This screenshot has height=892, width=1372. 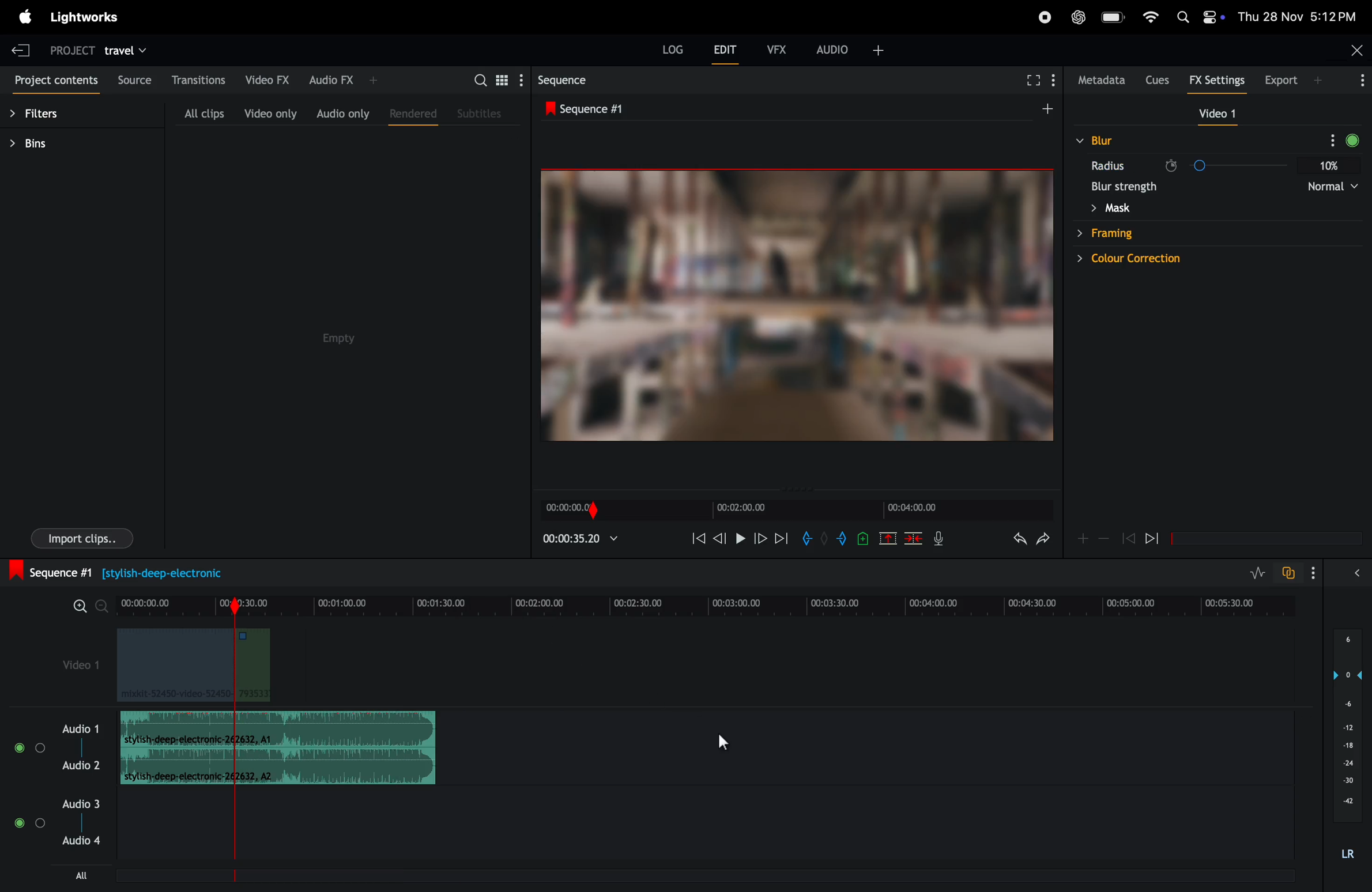 What do you see at coordinates (410, 114) in the screenshot?
I see `rendered` at bounding box center [410, 114].